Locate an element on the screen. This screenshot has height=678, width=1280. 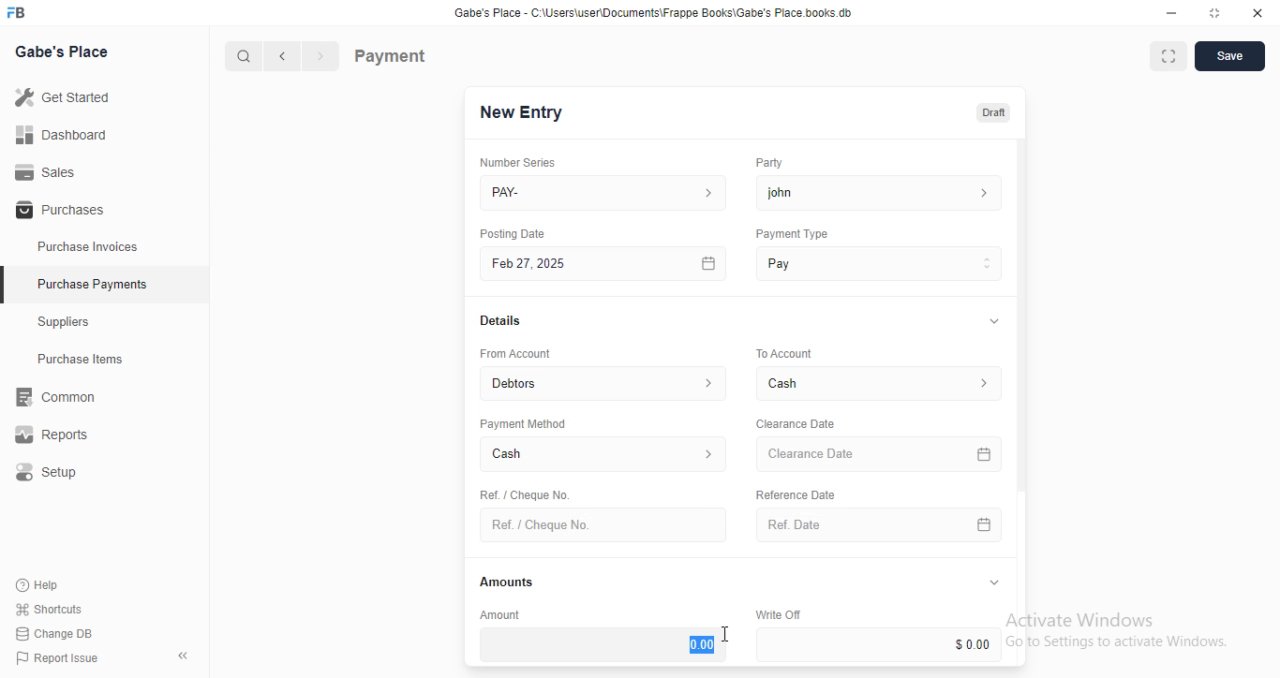
Cash is located at coordinates (604, 456).